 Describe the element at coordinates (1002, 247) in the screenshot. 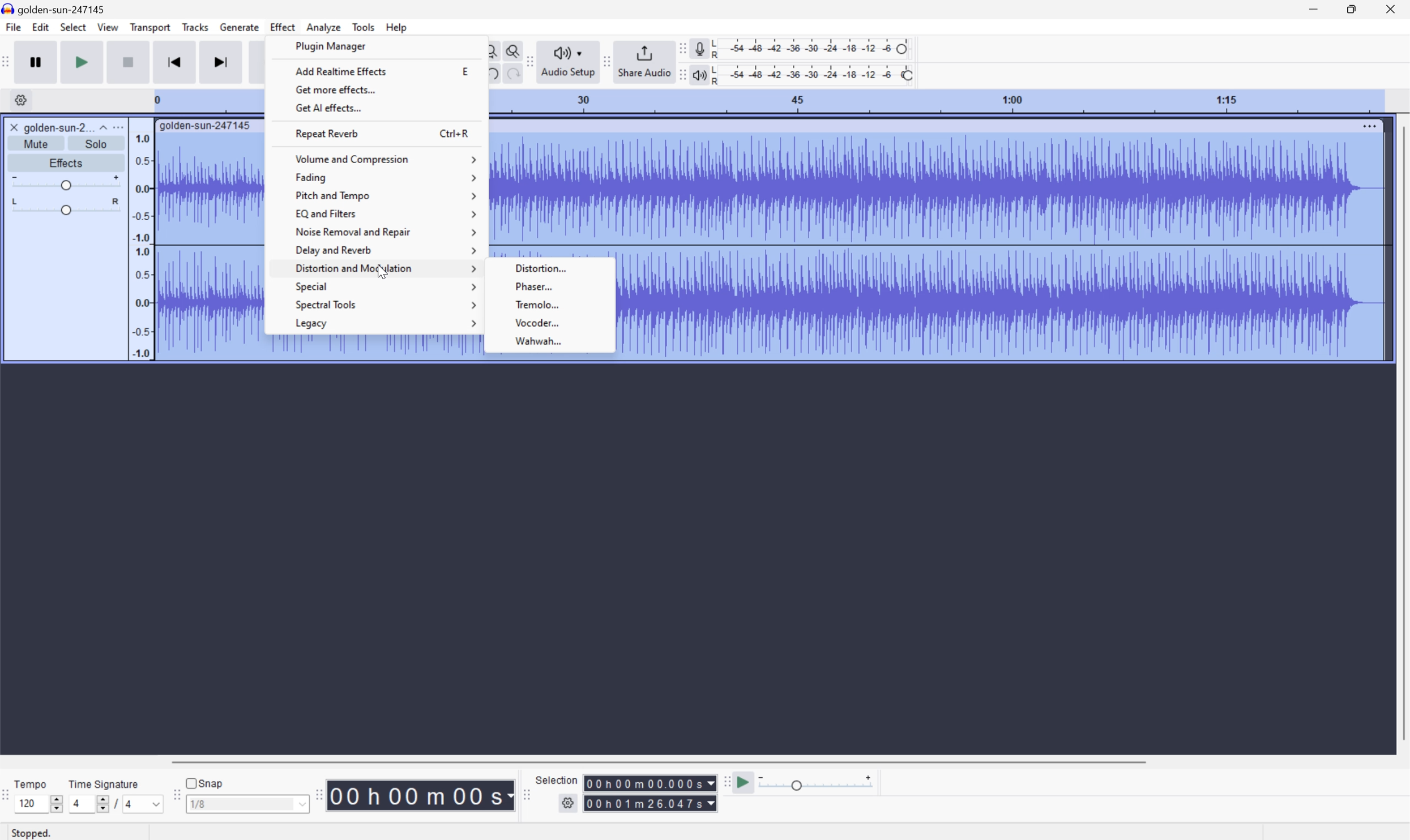

I see `Audio` at that location.